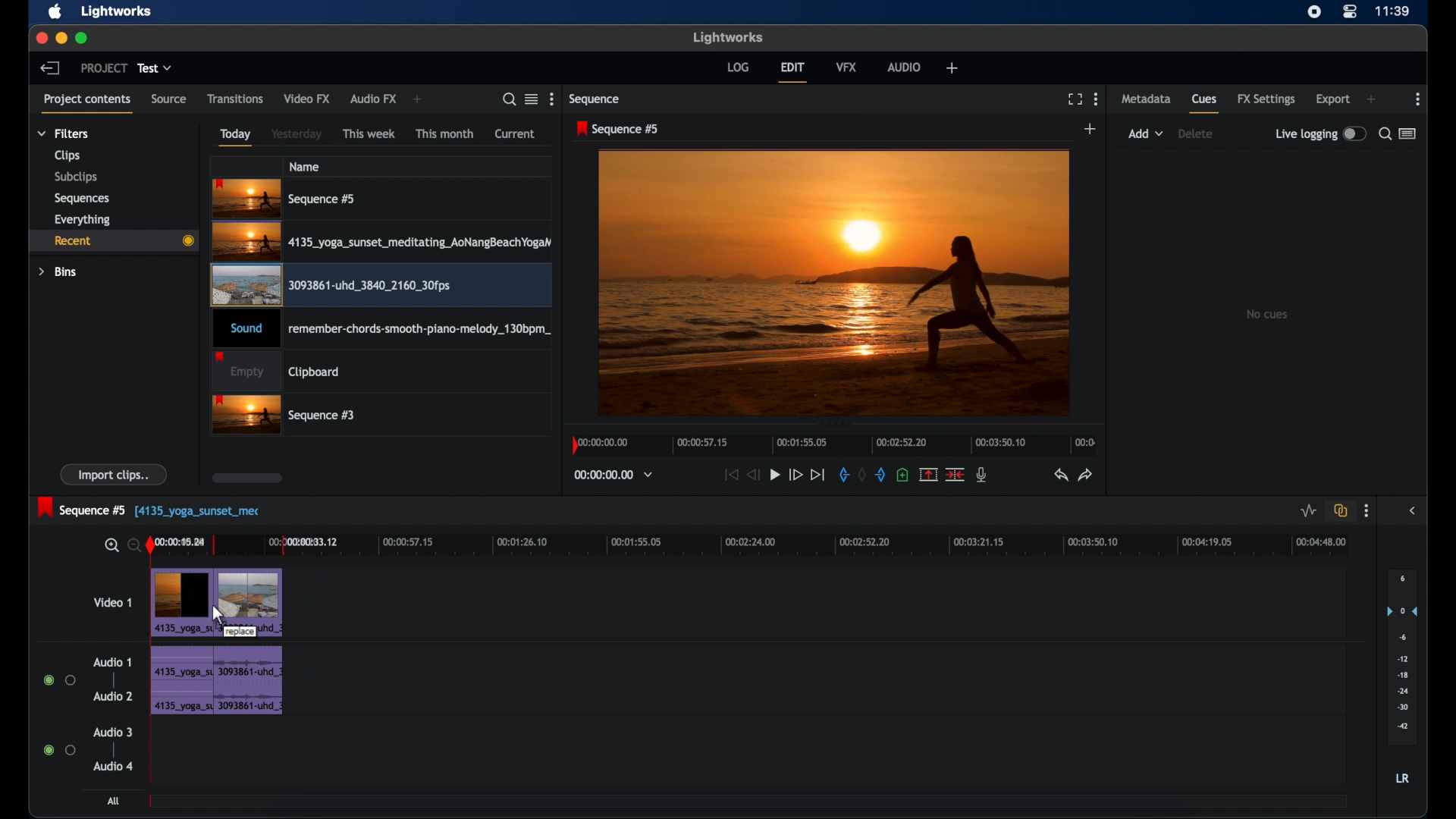 The image size is (1456, 819). What do you see at coordinates (532, 99) in the screenshot?
I see `toggle list or tile view` at bounding box center [532, 99].